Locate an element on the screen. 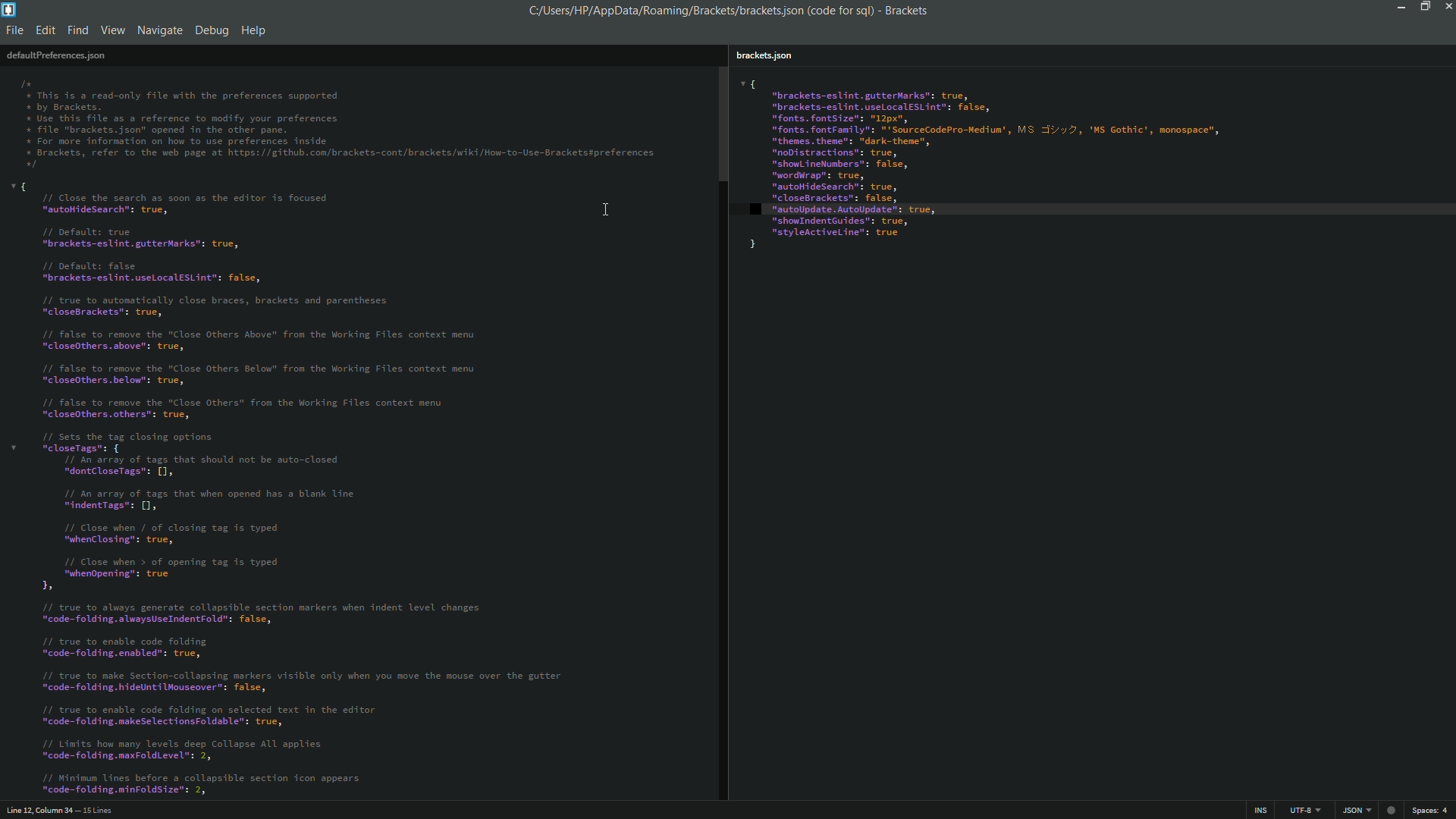 The width and height of the screenshot is (1456, 819). edit menu is located at coordinates (45, 30).